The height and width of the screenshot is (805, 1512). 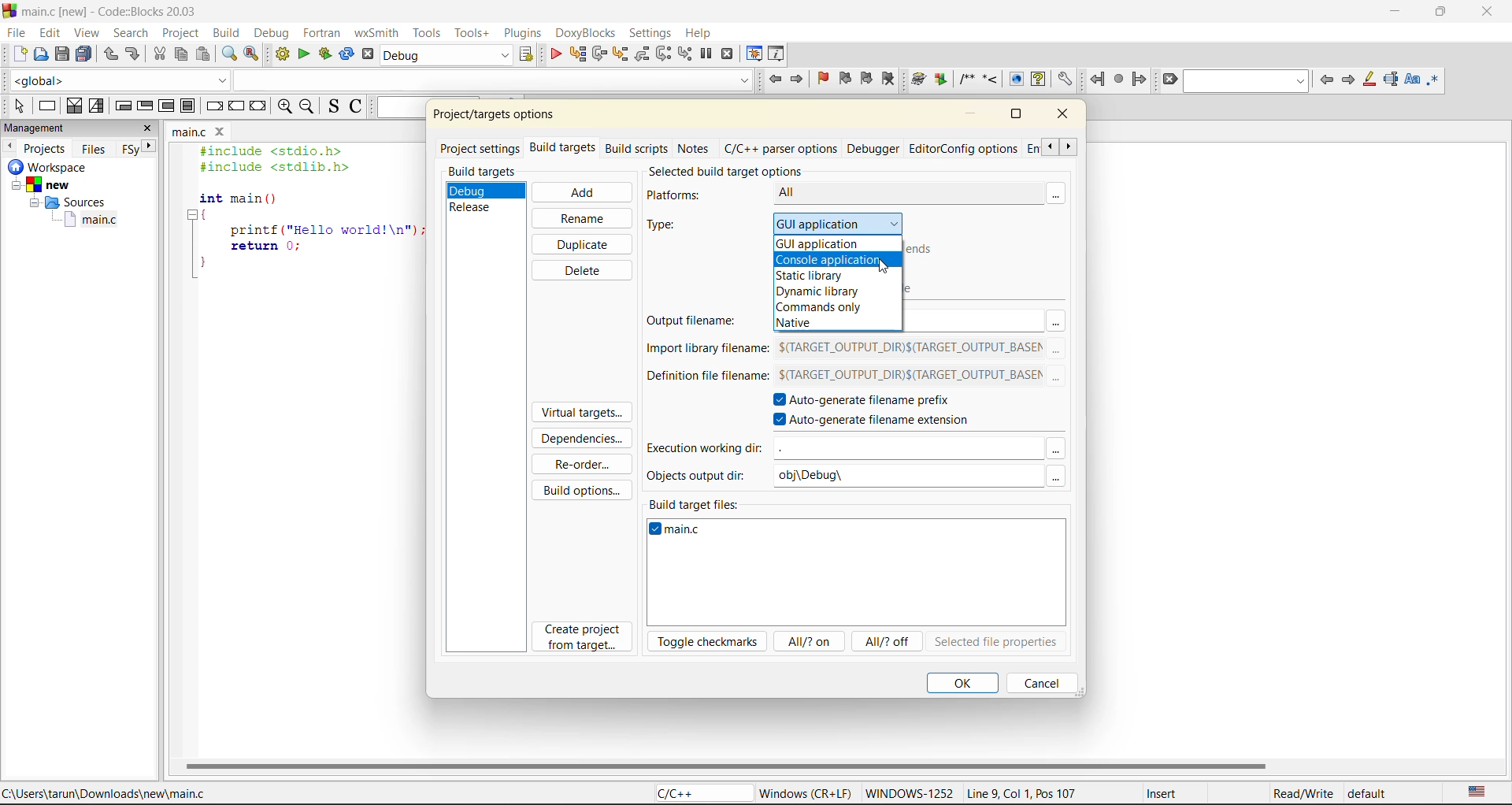 I want to click on release, so click(x=476, y=207).